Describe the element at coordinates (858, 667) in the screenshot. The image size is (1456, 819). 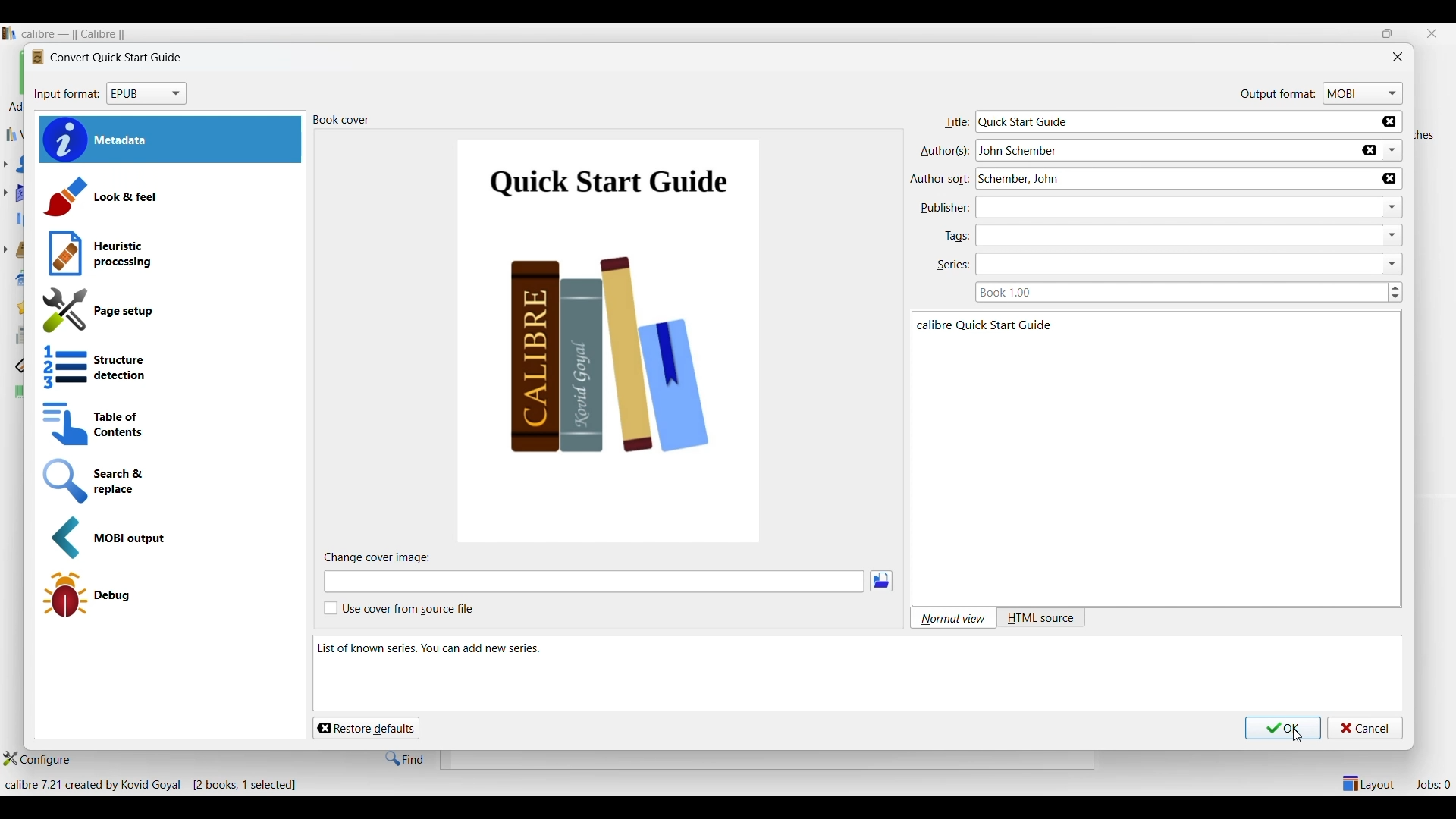
I see `Description of function of selected icon` at that location.